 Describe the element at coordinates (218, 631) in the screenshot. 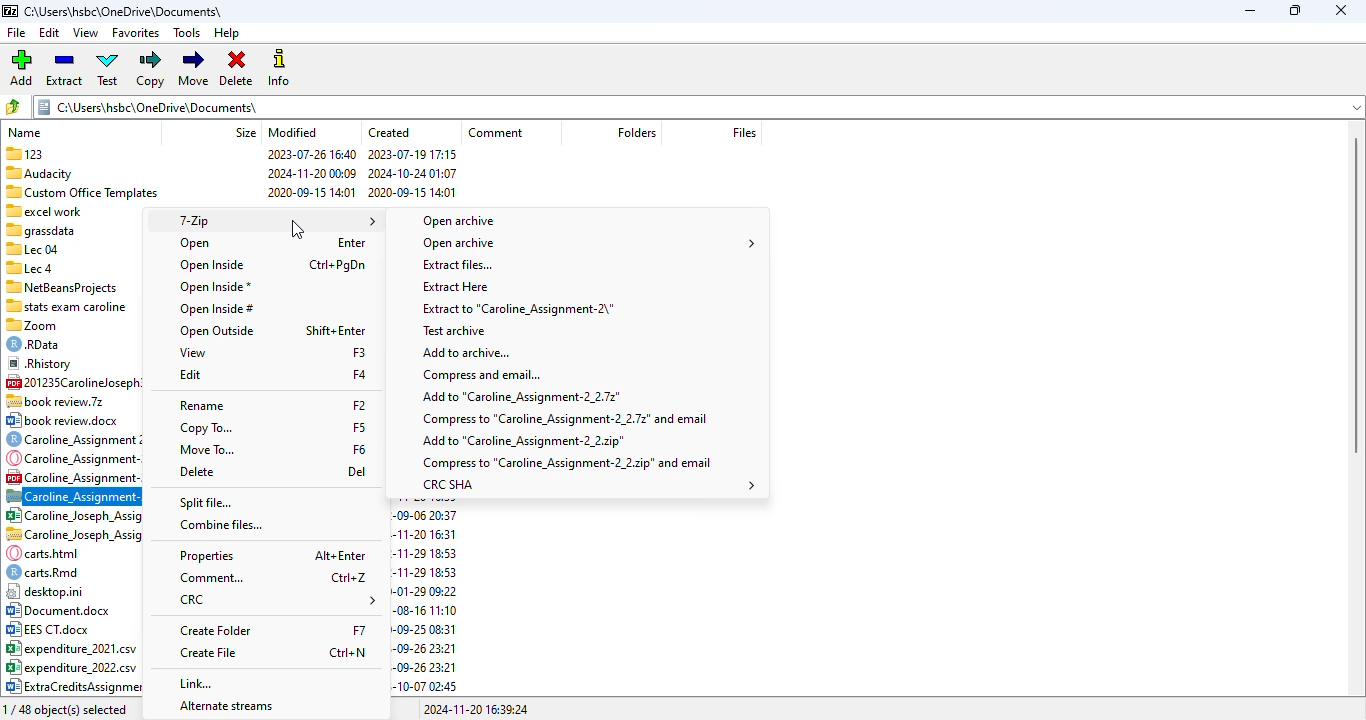

I see `create folder` at that location.